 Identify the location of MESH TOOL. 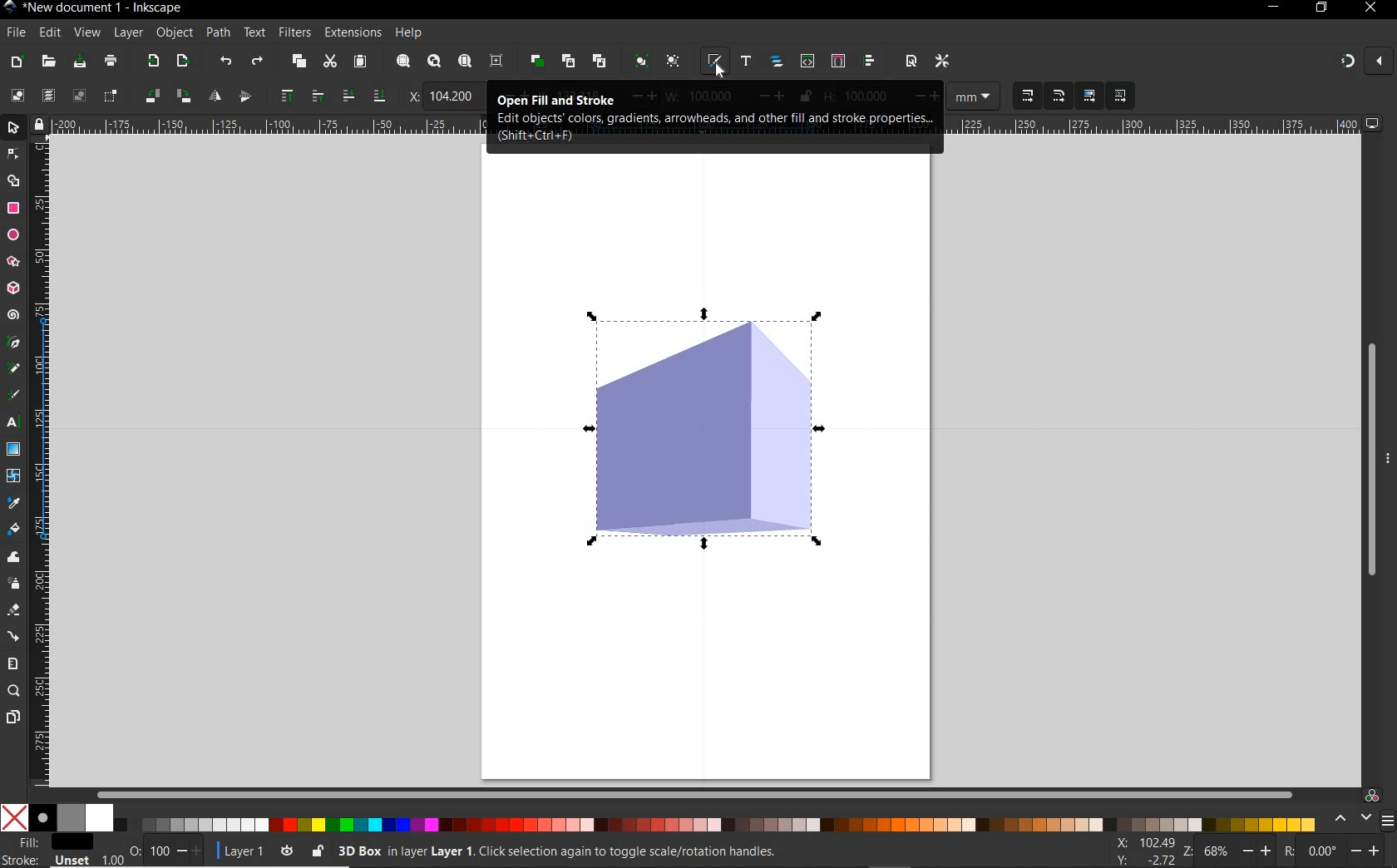
(12, 476).